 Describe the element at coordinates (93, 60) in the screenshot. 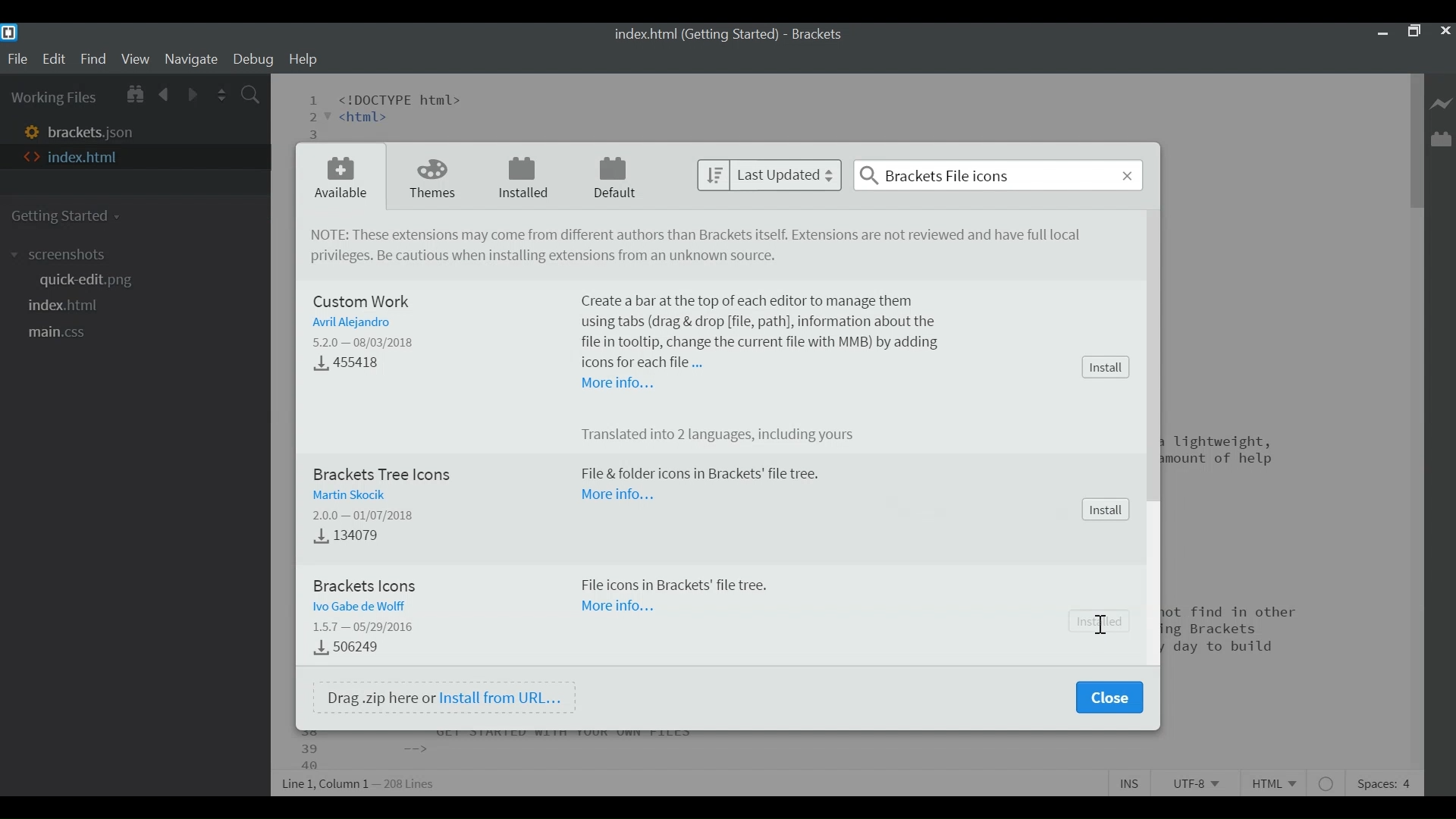

I see `Find` at that location.